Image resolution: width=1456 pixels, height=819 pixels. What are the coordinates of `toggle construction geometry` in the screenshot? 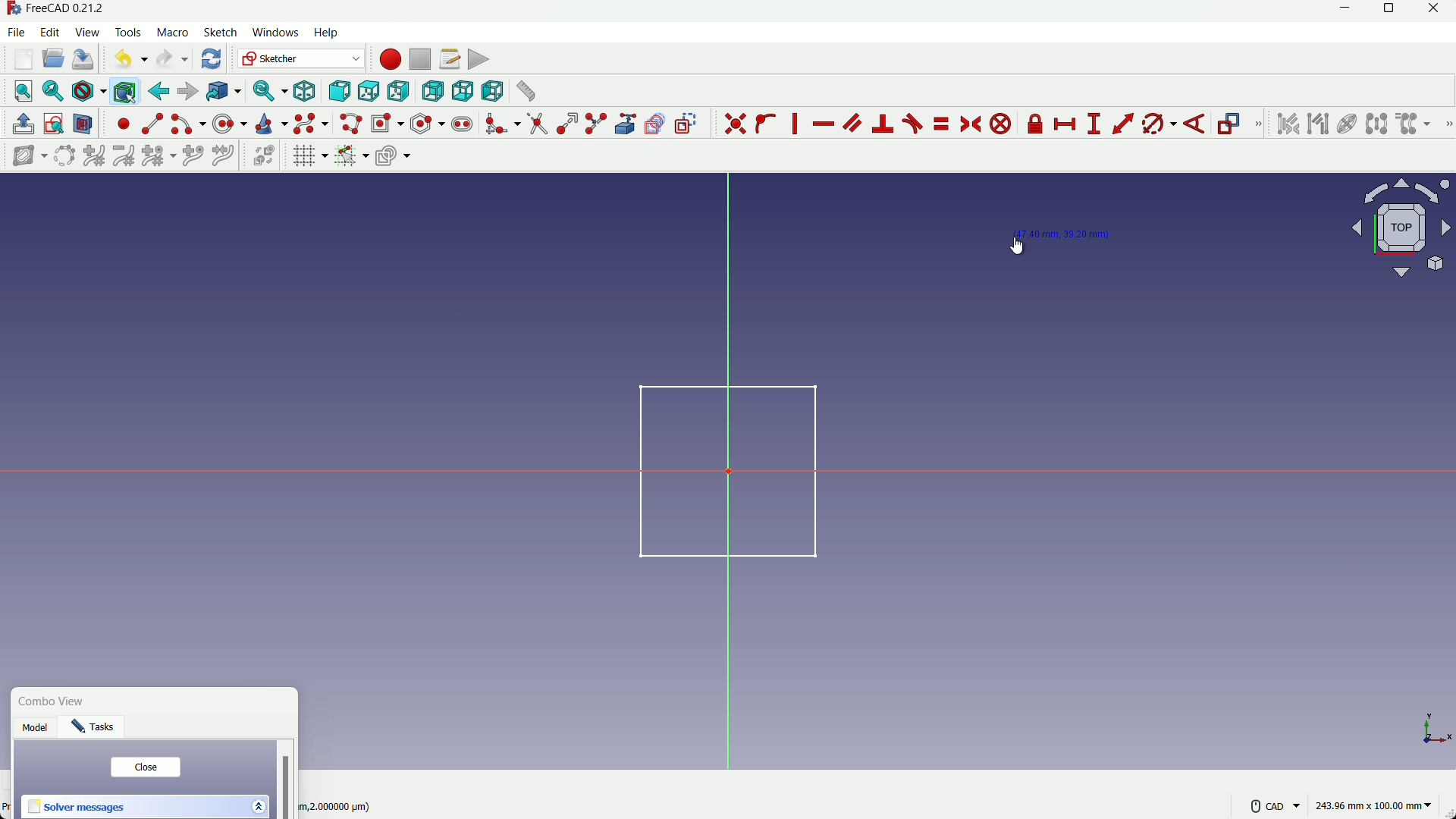 It's located at (687, 123).